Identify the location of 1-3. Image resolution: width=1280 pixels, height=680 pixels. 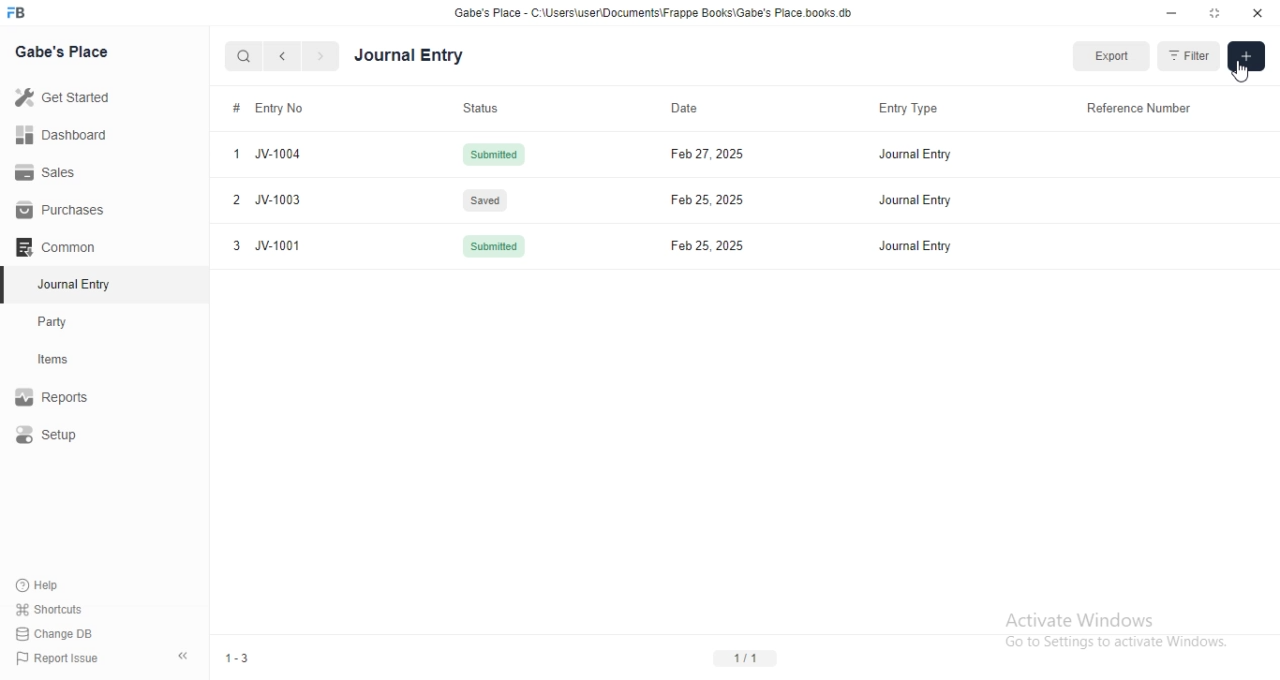
(246, 658).